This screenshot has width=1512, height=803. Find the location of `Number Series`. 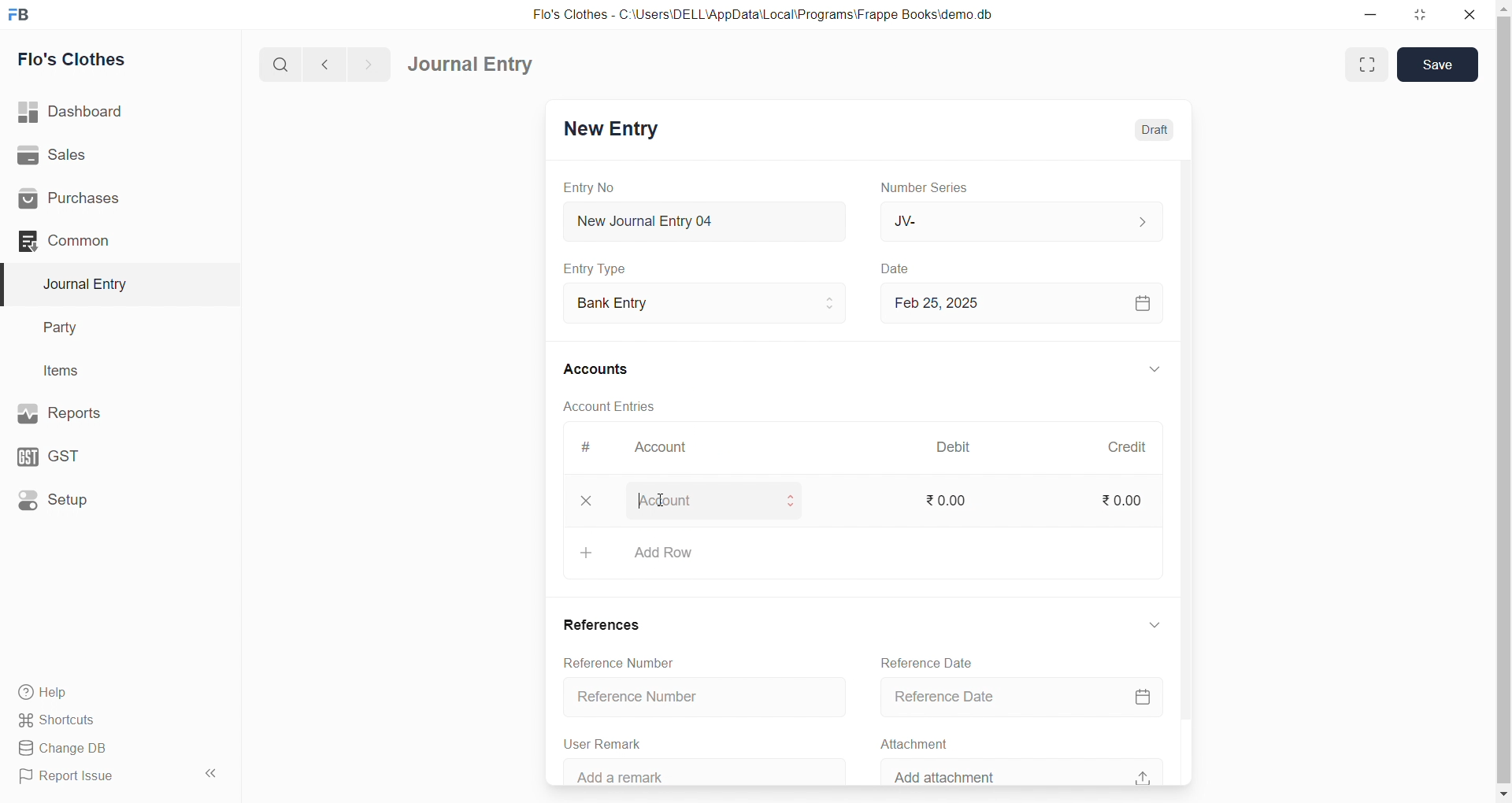

Number Series is located at coordinates (936, 187).